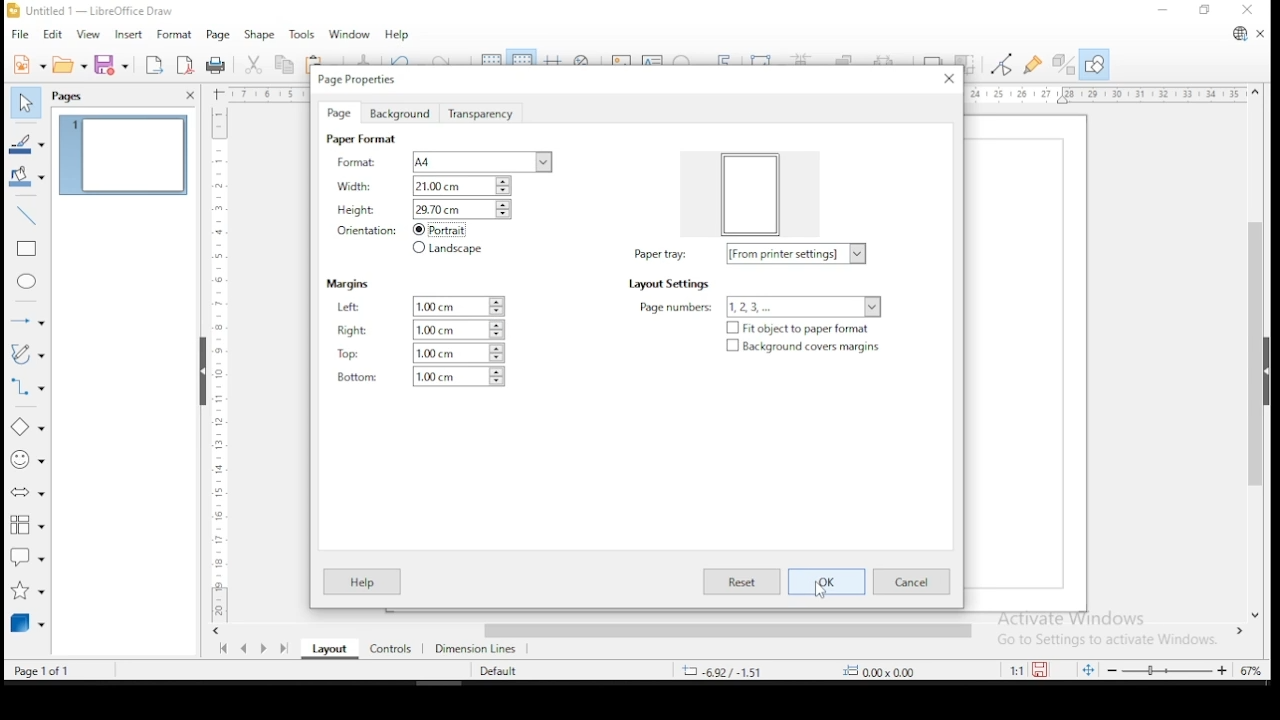  Describe the element at coordinates (450, 57) in the screenshot. I see `redo` at that location.